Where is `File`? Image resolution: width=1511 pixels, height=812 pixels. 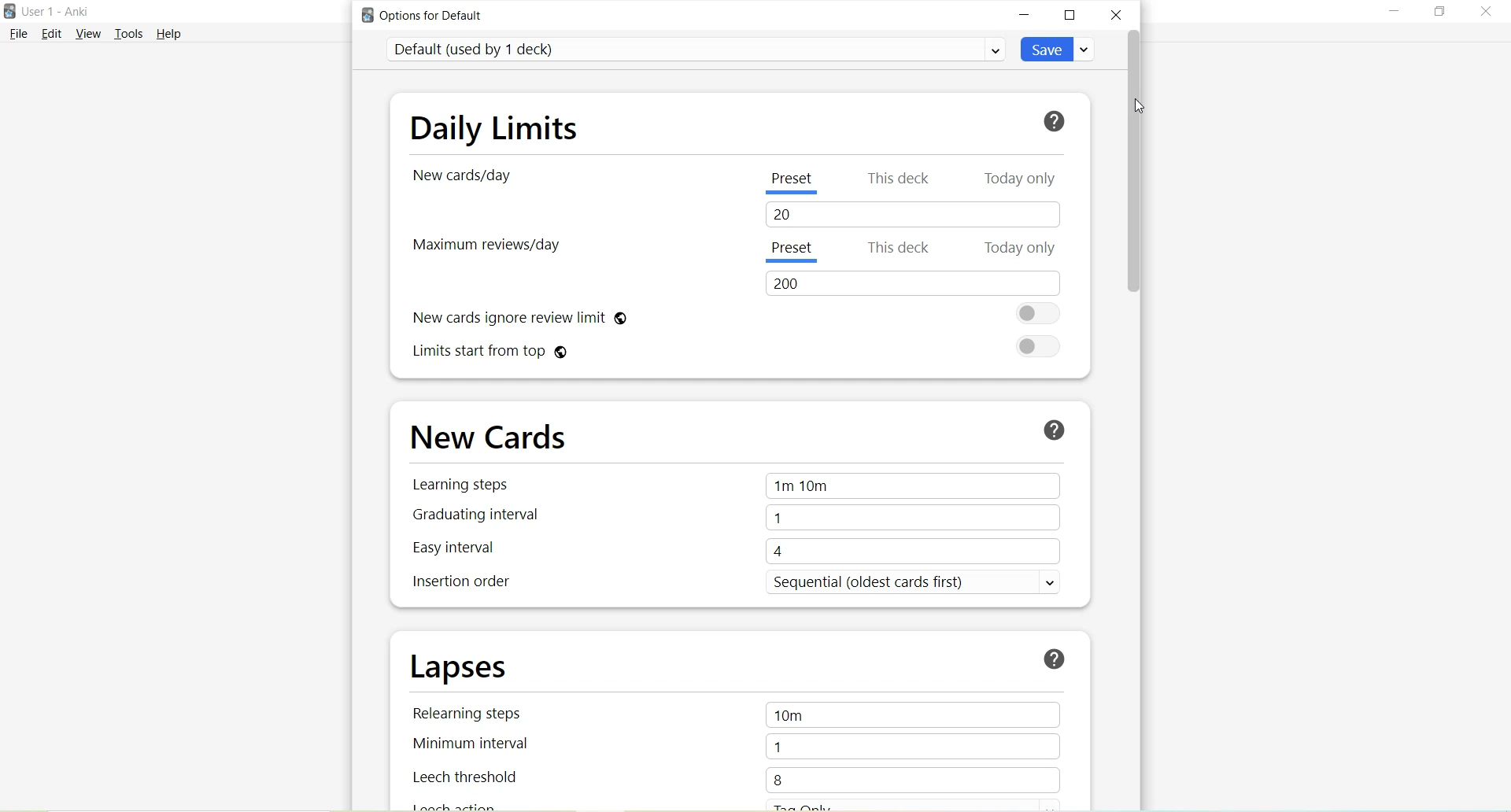 File is located at coordinates (18, 33).